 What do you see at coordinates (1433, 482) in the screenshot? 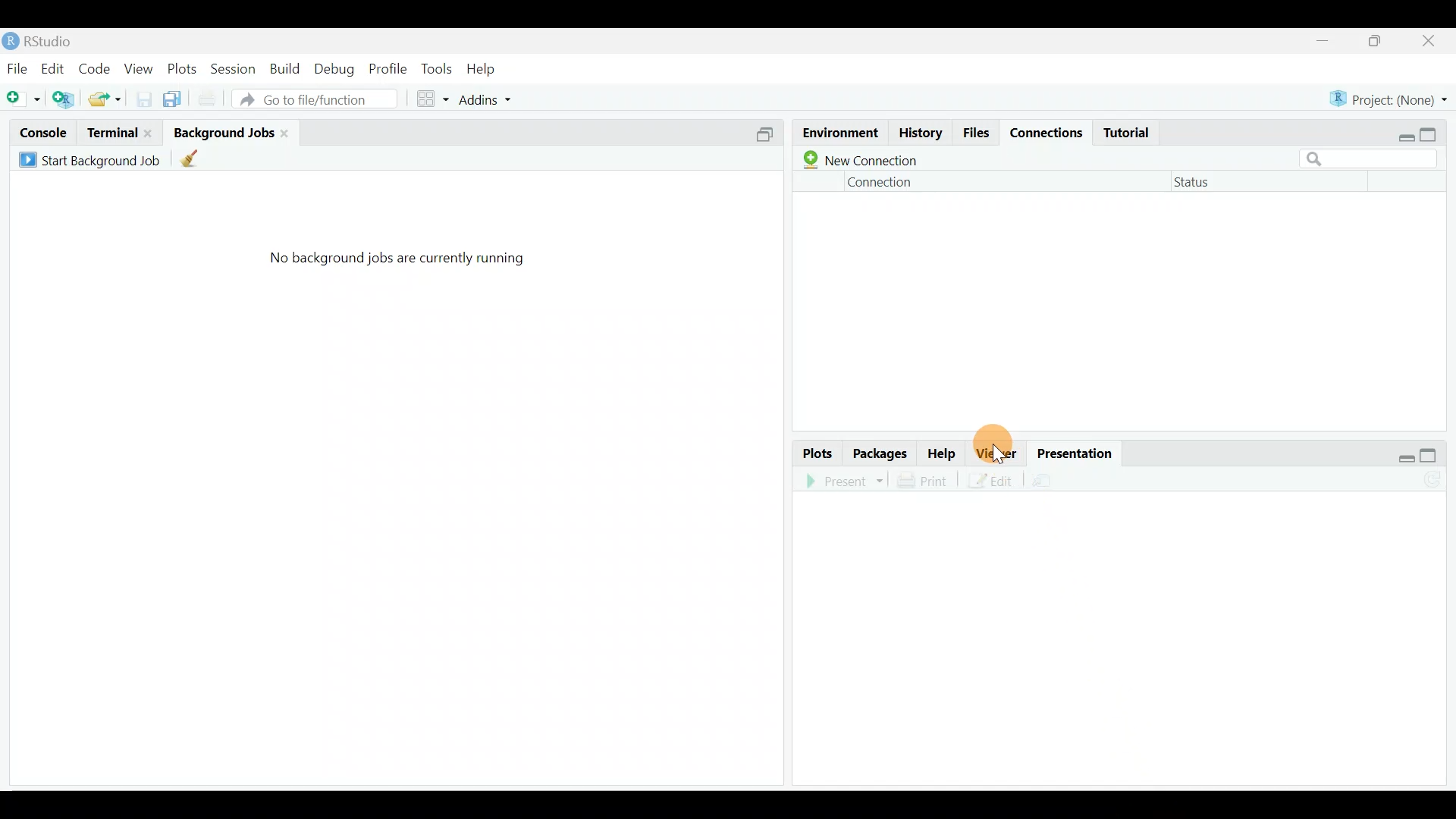
I see `Refresh the presentation view` at bounding box center [1433, 482].